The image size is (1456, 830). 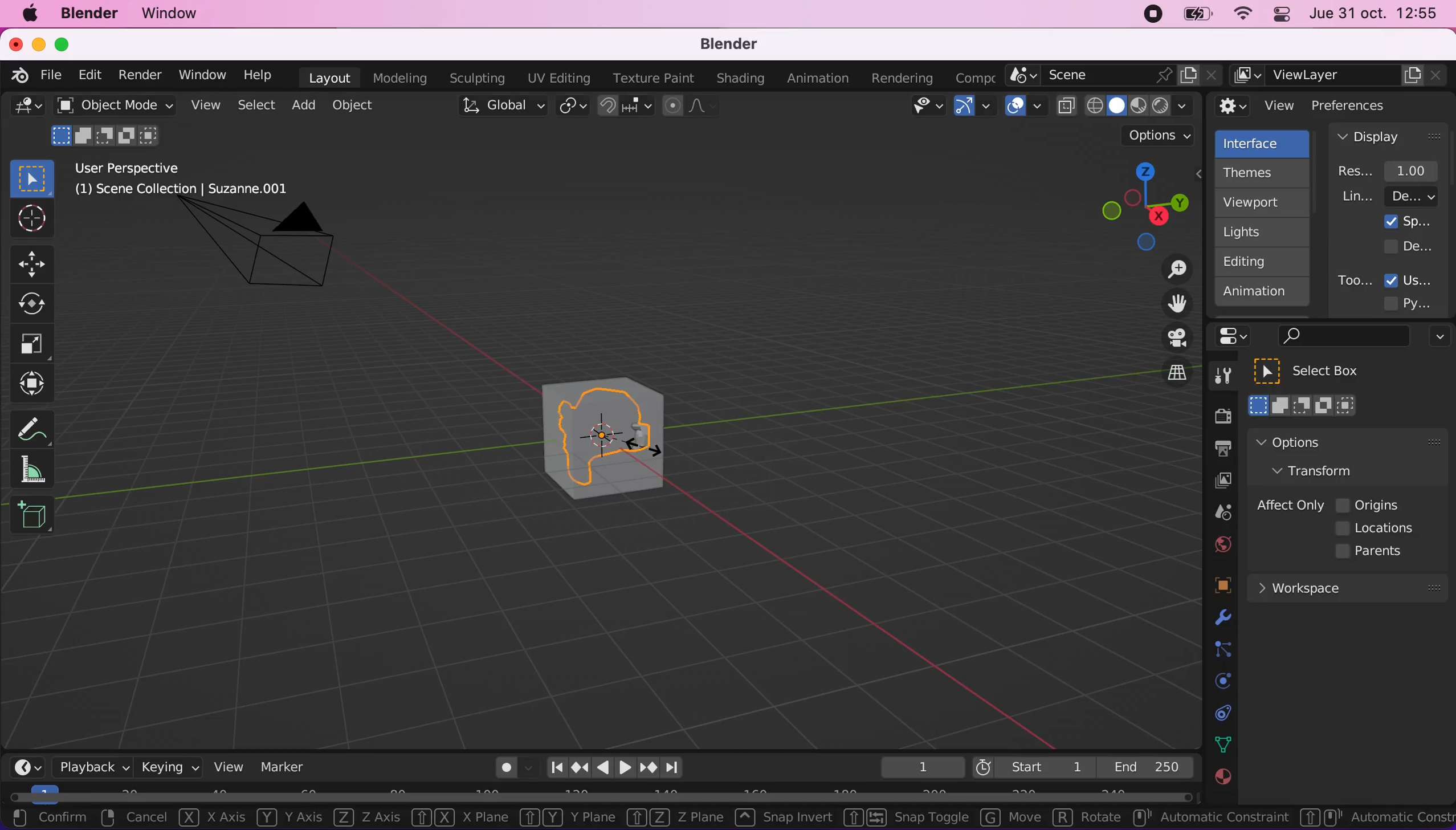 I want to click on keying, so click(x=168, y=767).